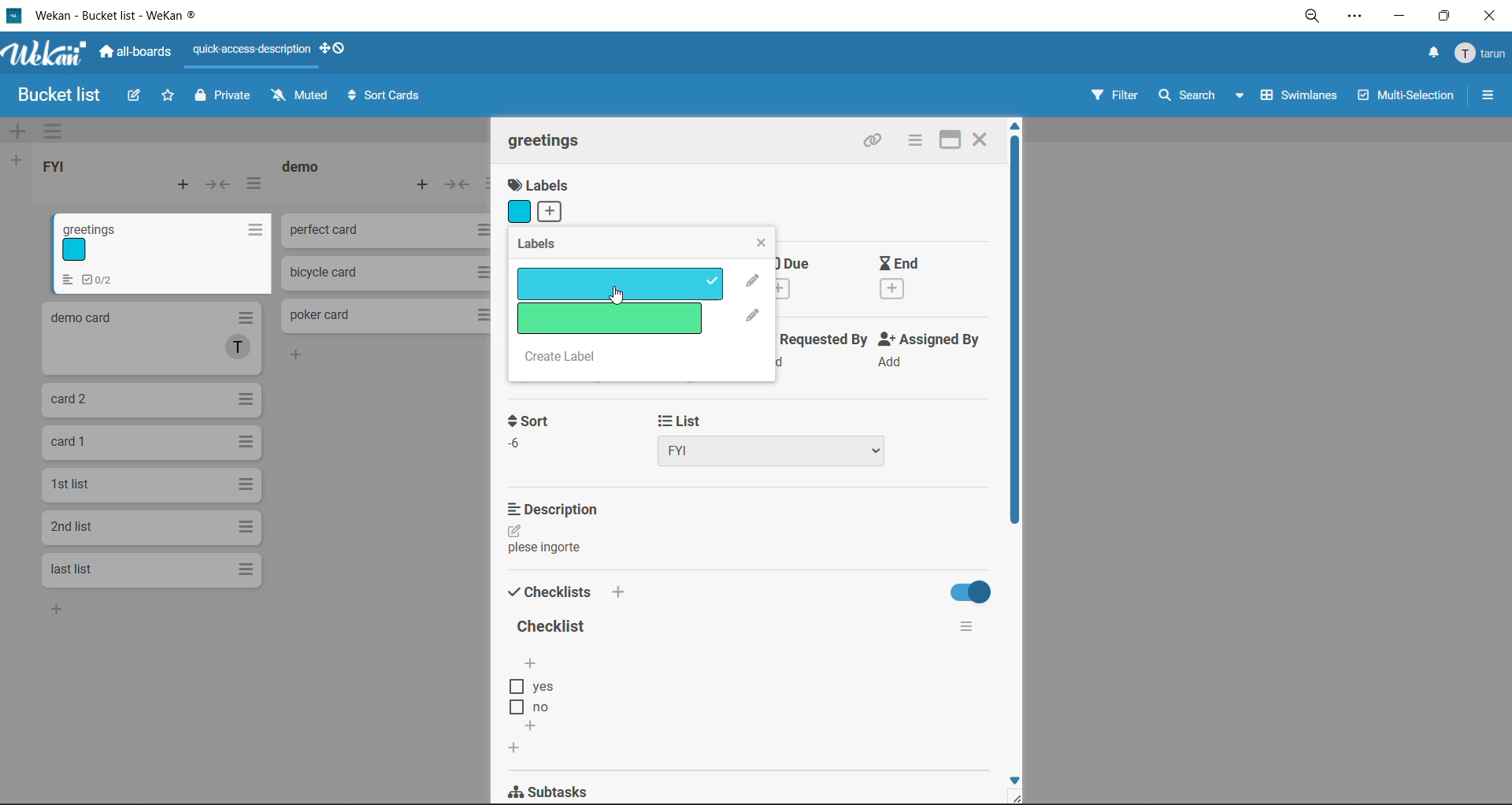 This screenshot has width=1512, height=805. What do you see at coordinates (520, 212) in the screenshot?
I see `label color` at bounding box center [520, 212].